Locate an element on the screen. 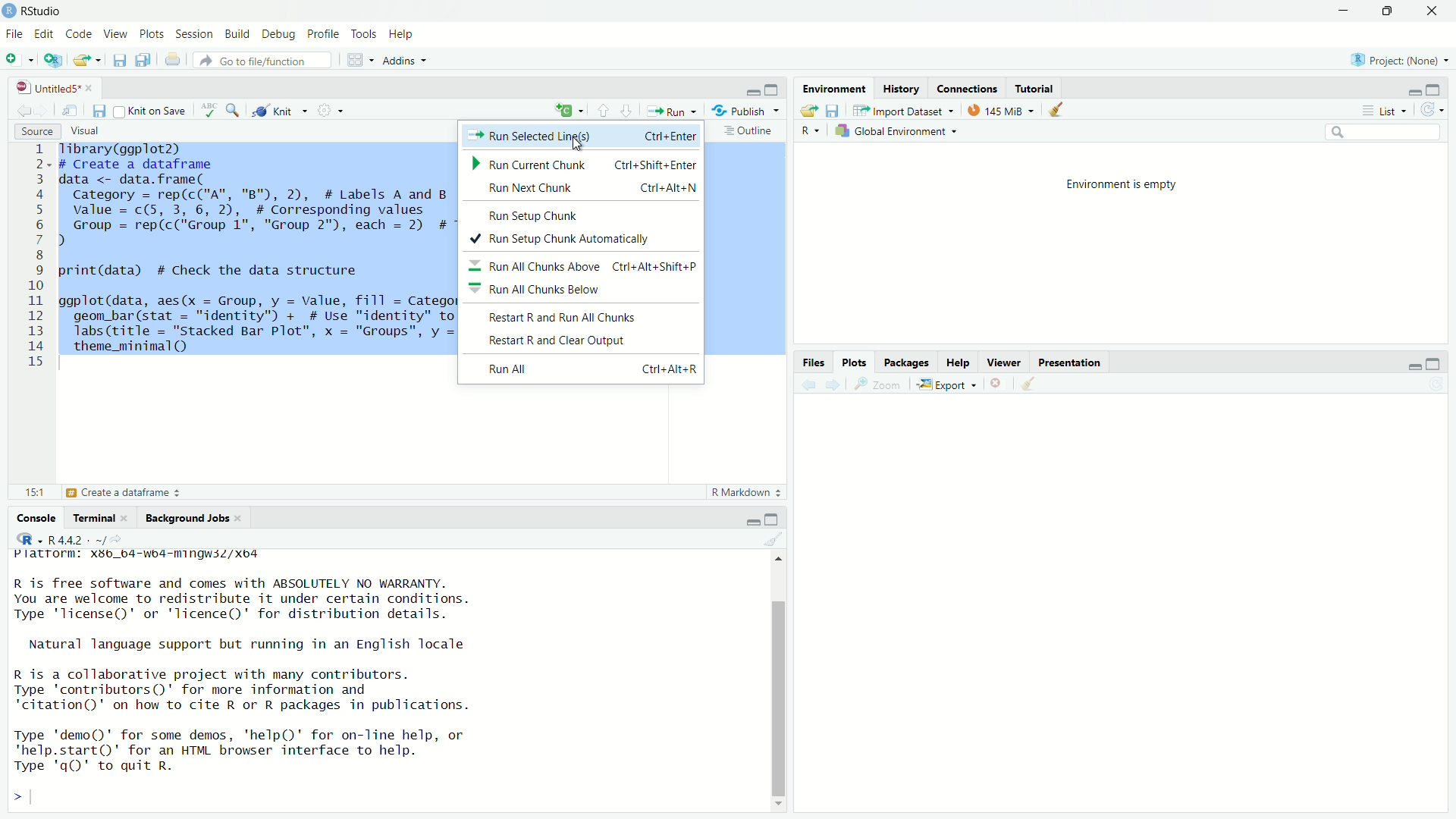 This screenshot has height=819, width=1456. File is located at coordinates (16, 34).